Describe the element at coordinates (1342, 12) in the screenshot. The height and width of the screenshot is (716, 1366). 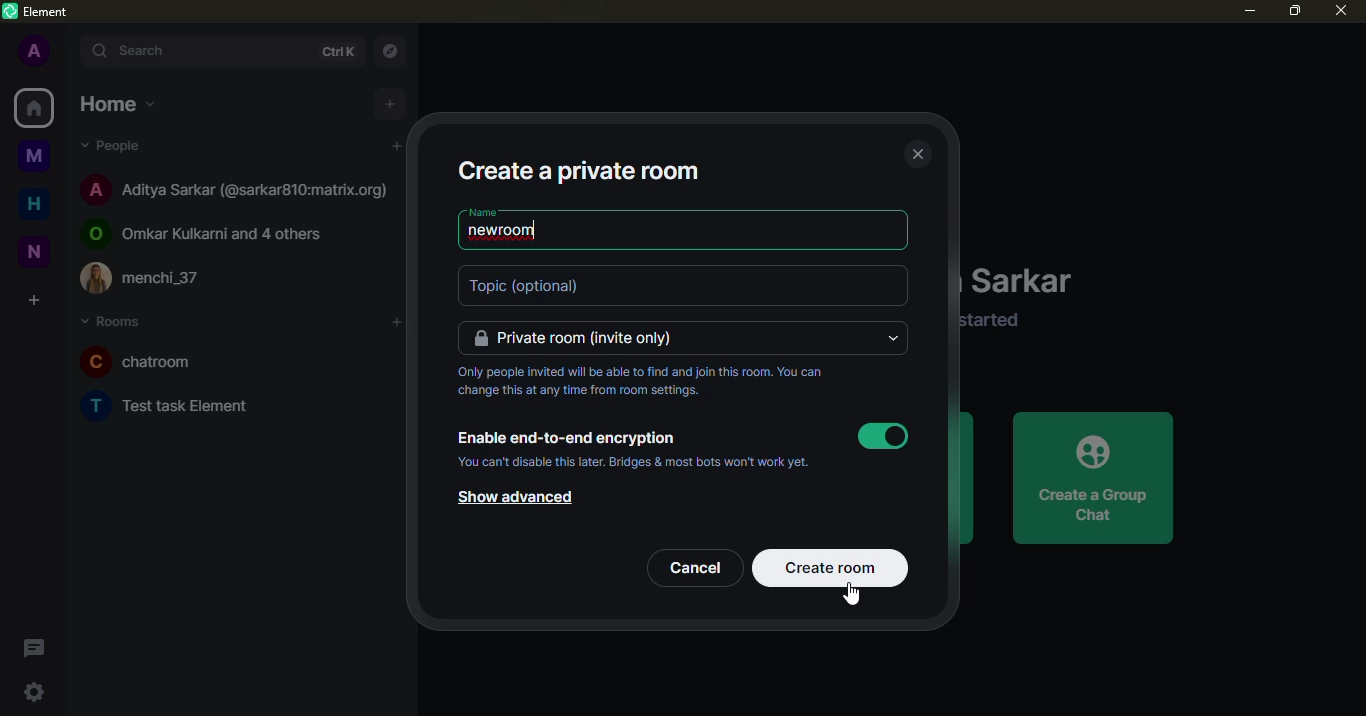
I see `close` at that location.